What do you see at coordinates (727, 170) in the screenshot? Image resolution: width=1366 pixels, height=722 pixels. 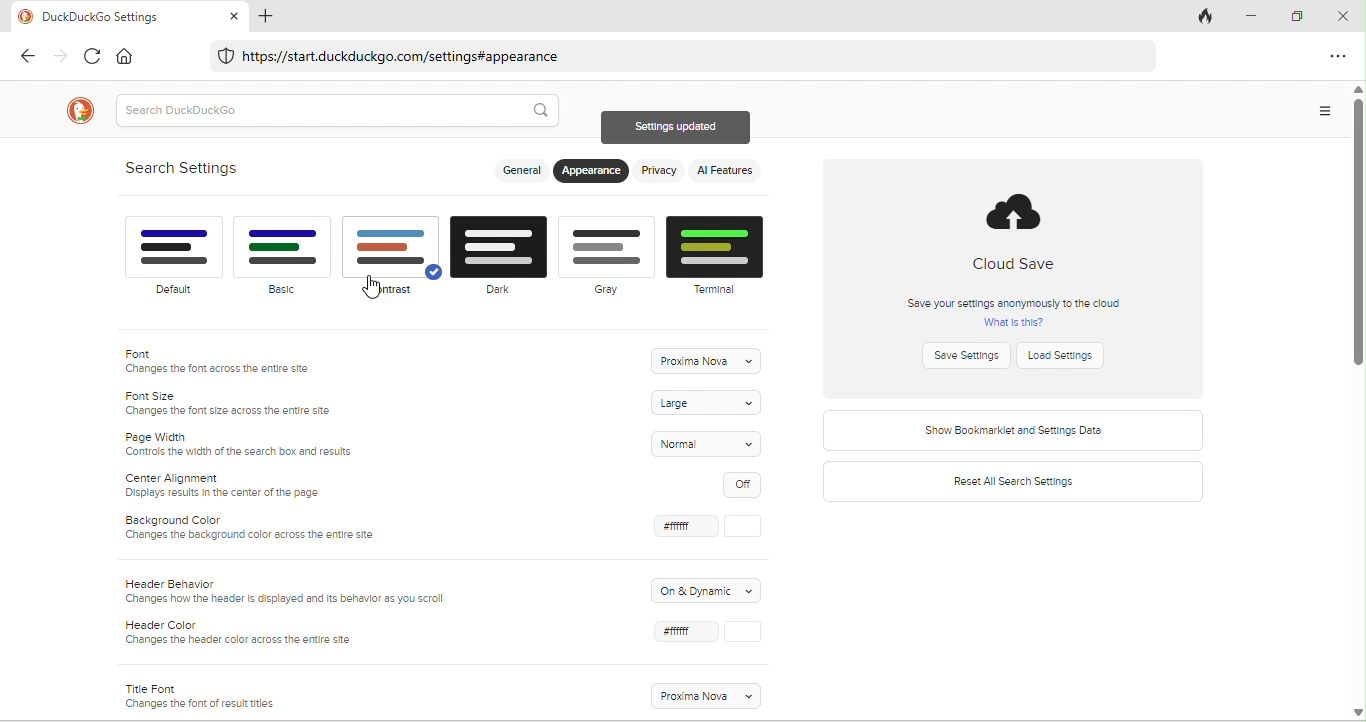 I see `ai features` at bounding box center [727, 170].